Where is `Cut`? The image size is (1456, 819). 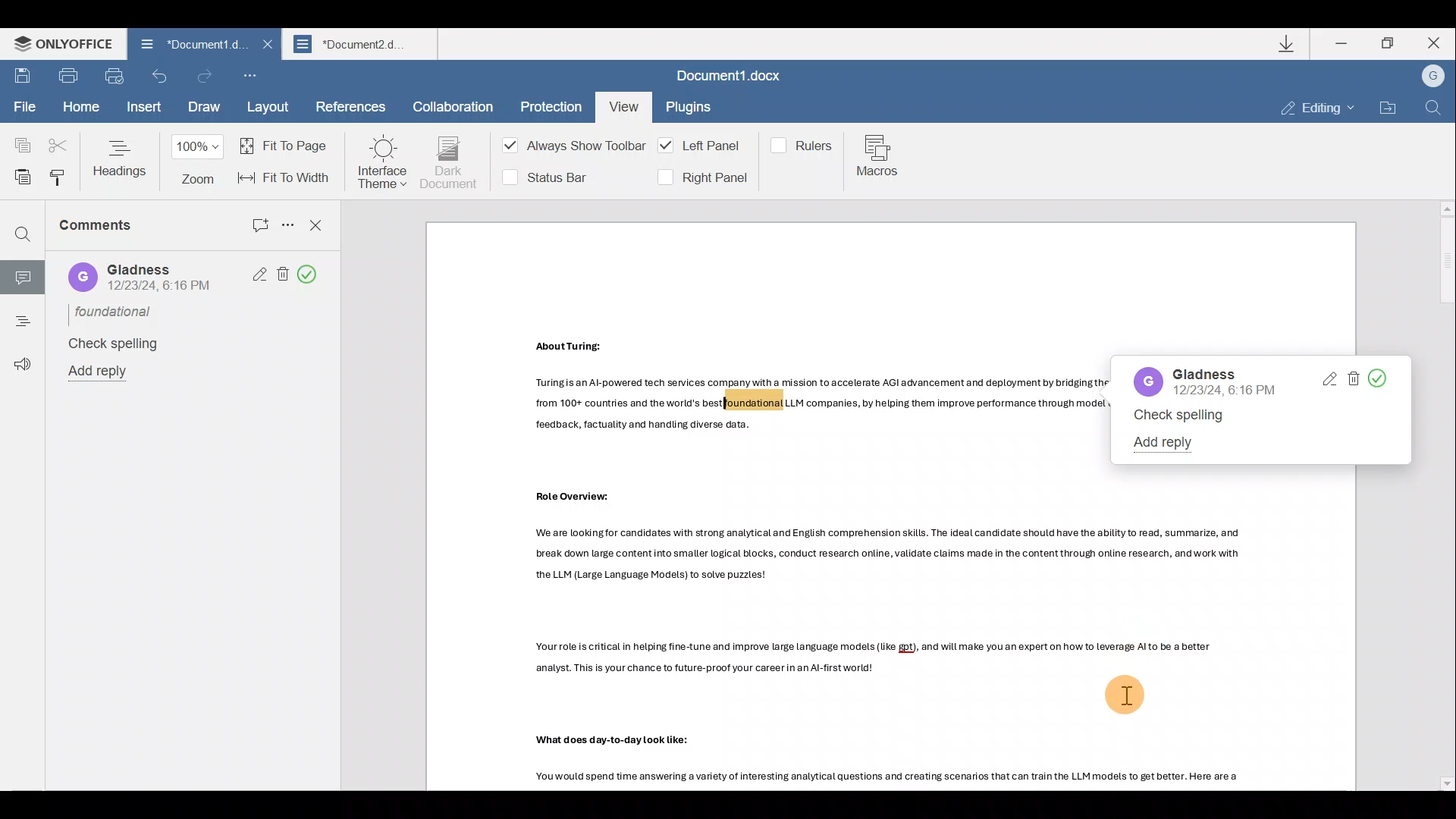 Cut is located at coordinates (59, 140).